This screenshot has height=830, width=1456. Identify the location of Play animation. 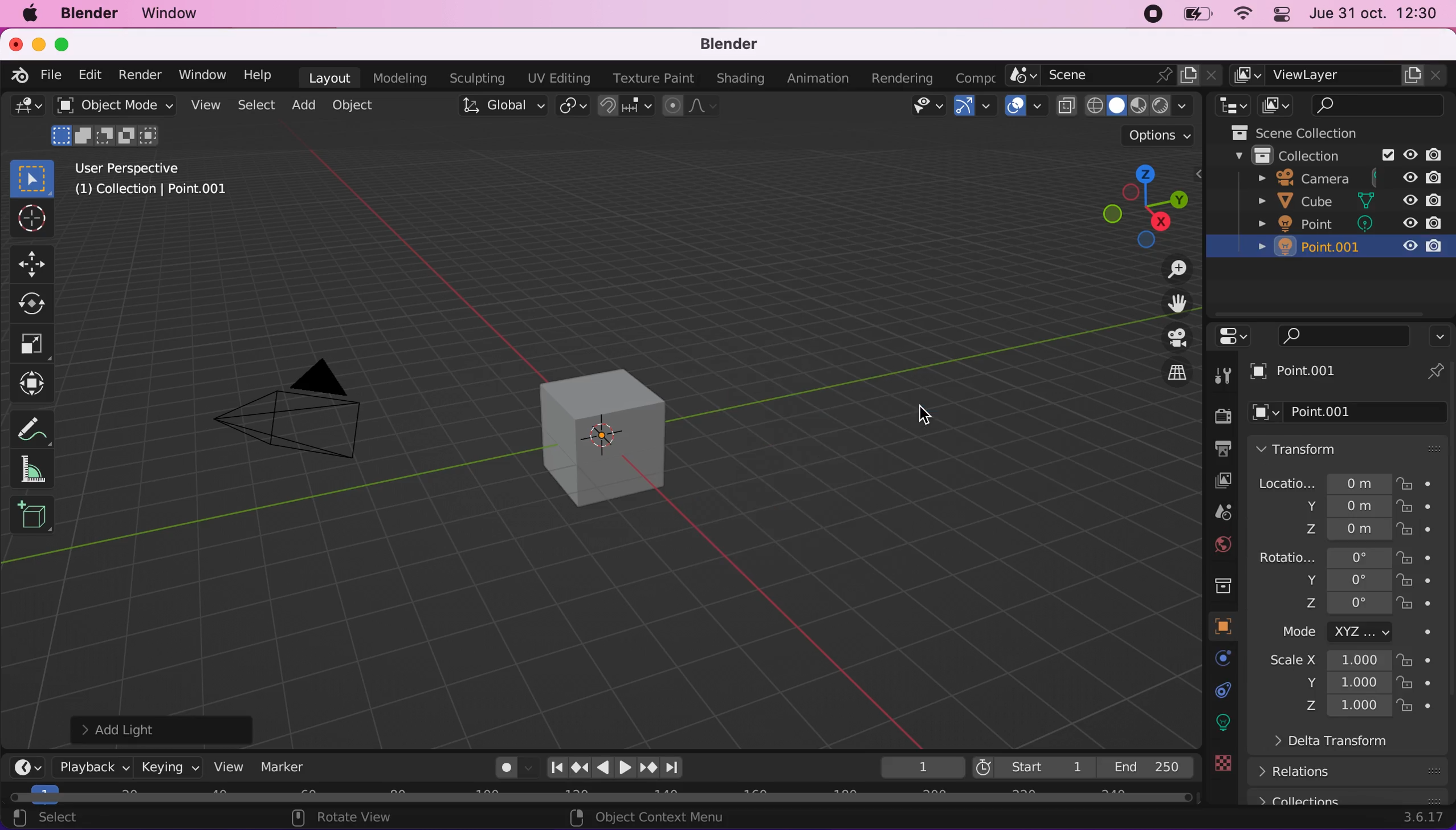
(626, 770).